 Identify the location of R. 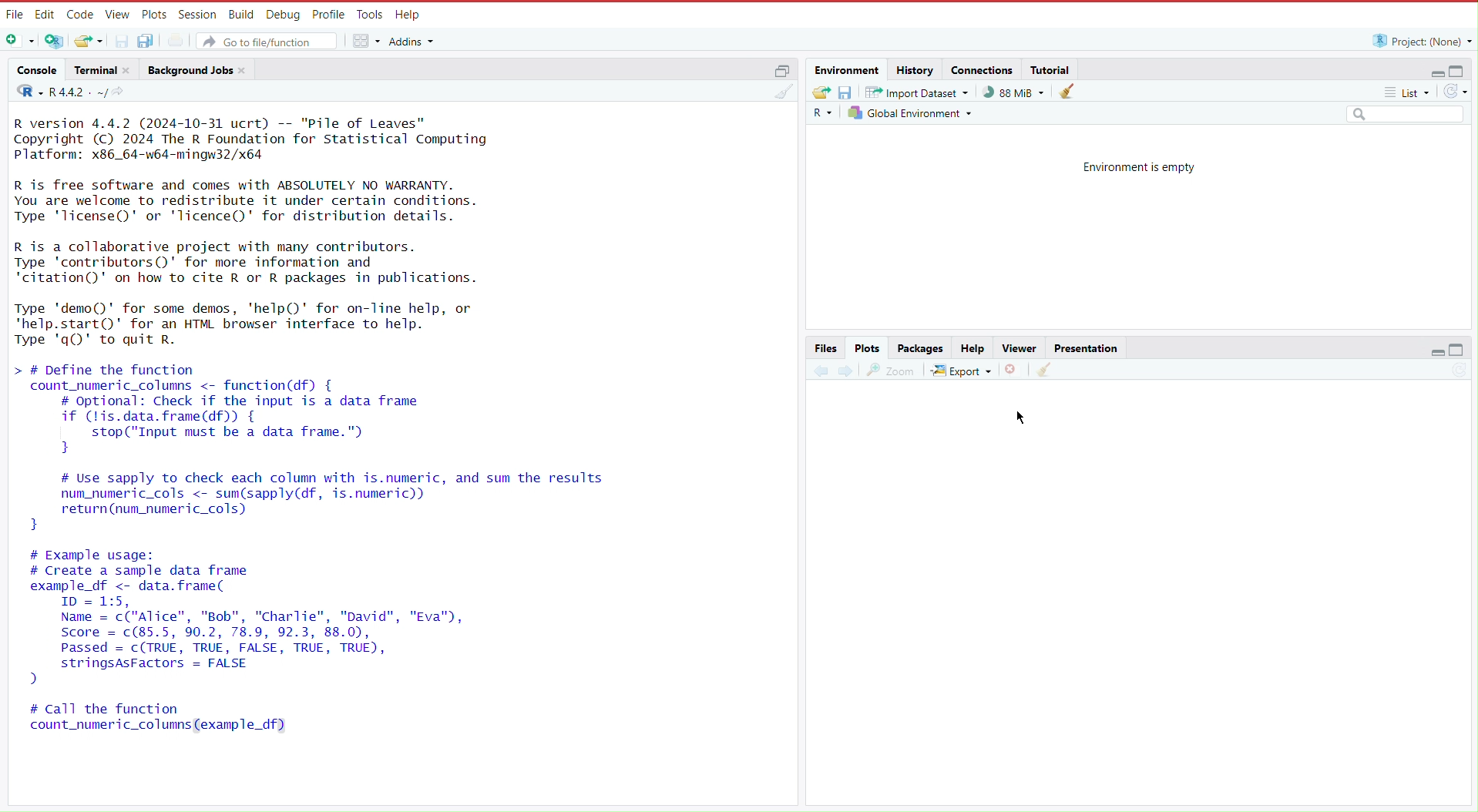
(25, 93).